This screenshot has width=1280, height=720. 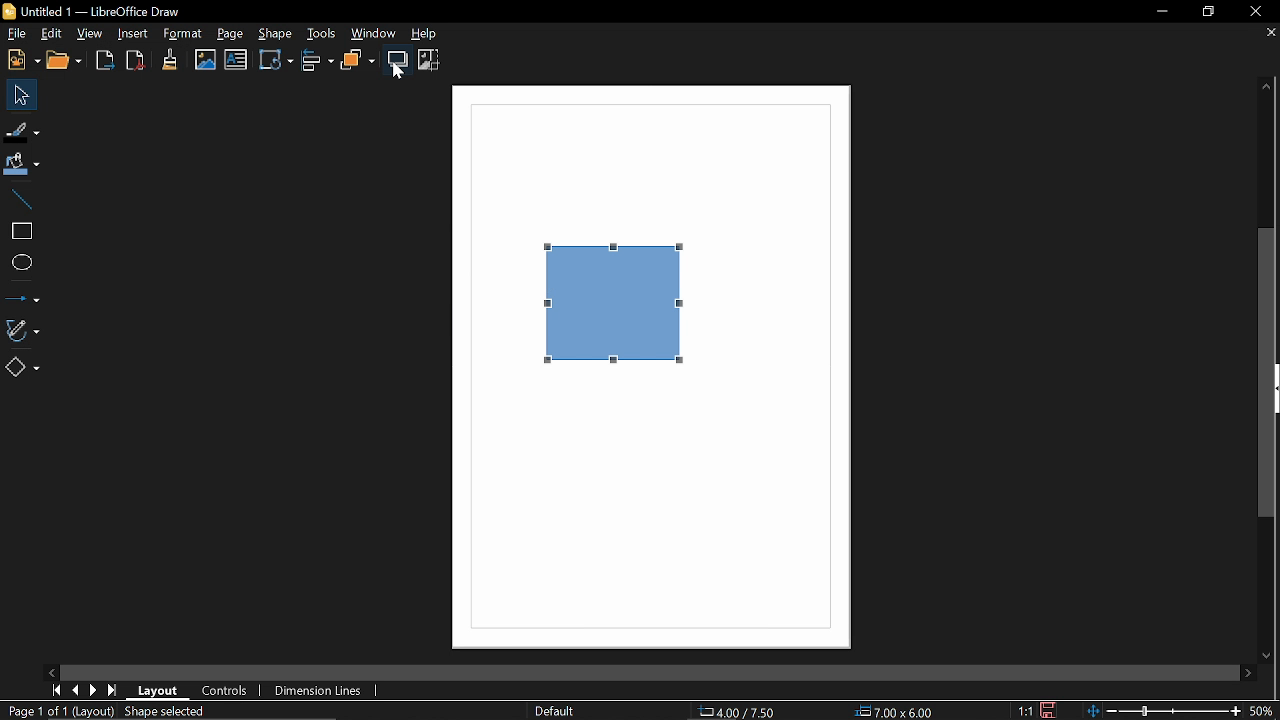 I want to click on Move down, so click(x=1268, y=657).